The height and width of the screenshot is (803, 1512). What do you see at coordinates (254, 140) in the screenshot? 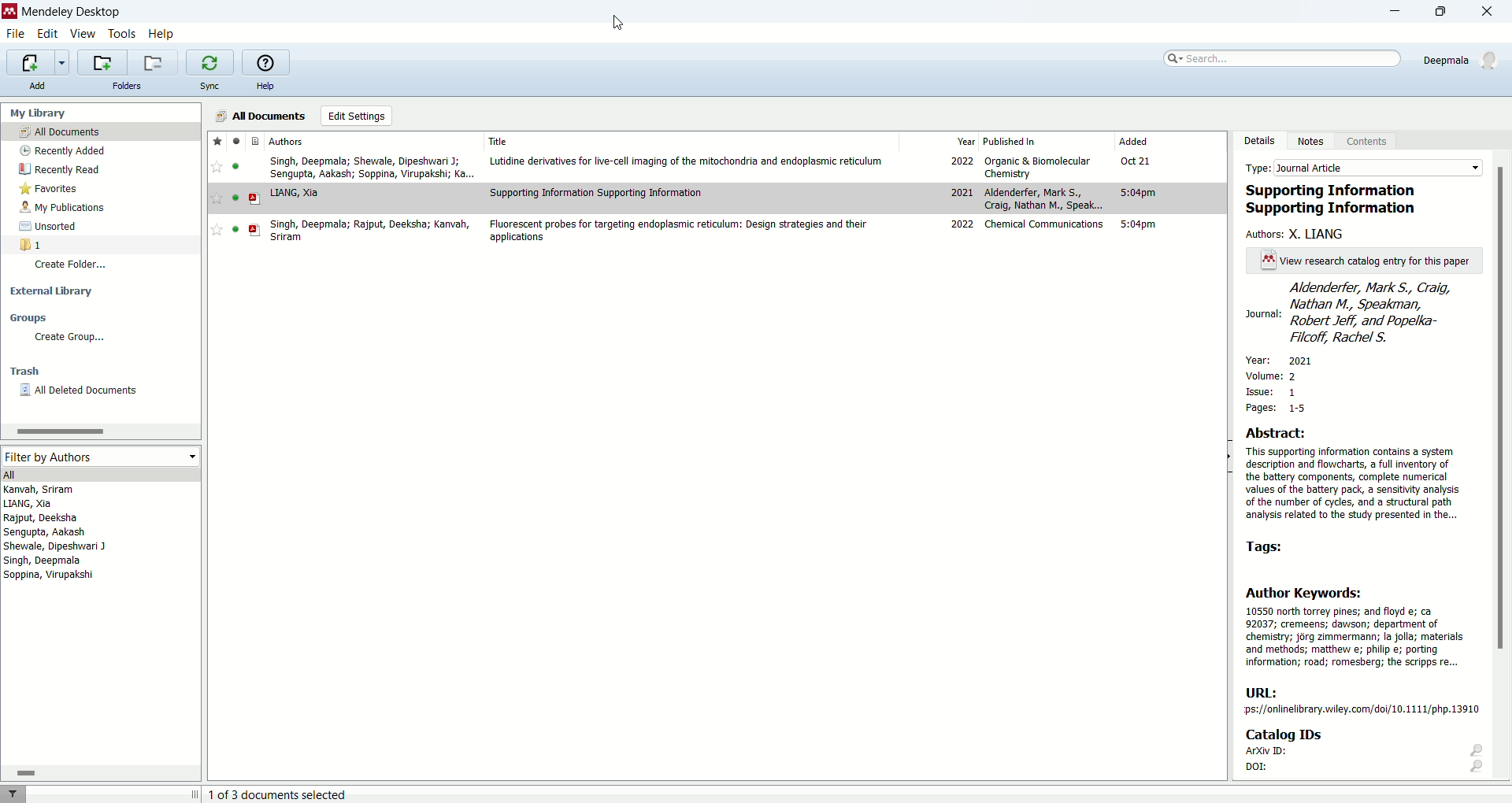
I see `document type` at bounding box center [254, 140].